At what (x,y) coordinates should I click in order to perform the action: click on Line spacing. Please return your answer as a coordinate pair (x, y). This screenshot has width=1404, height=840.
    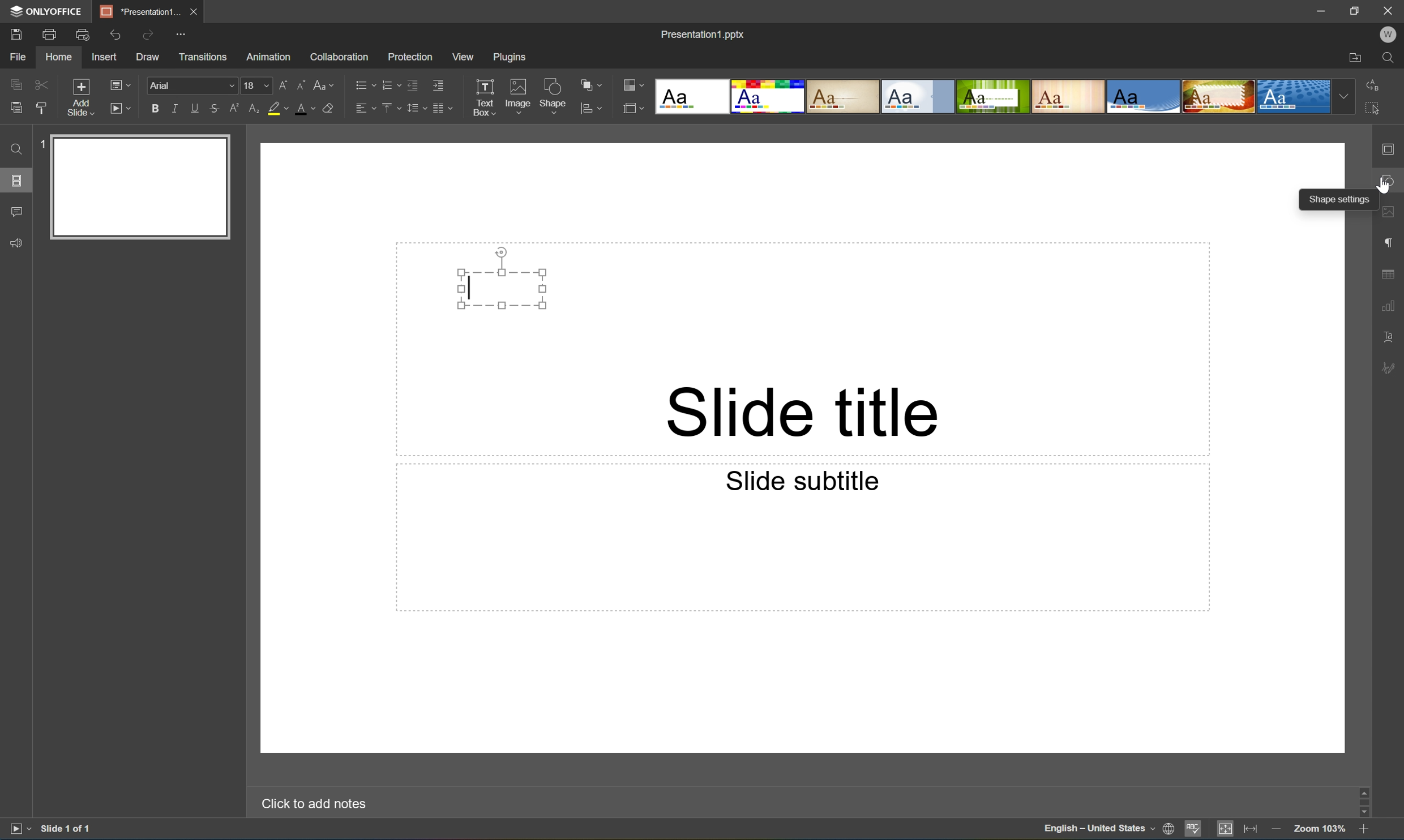
    Looking at the image, I should click on (415, 108).